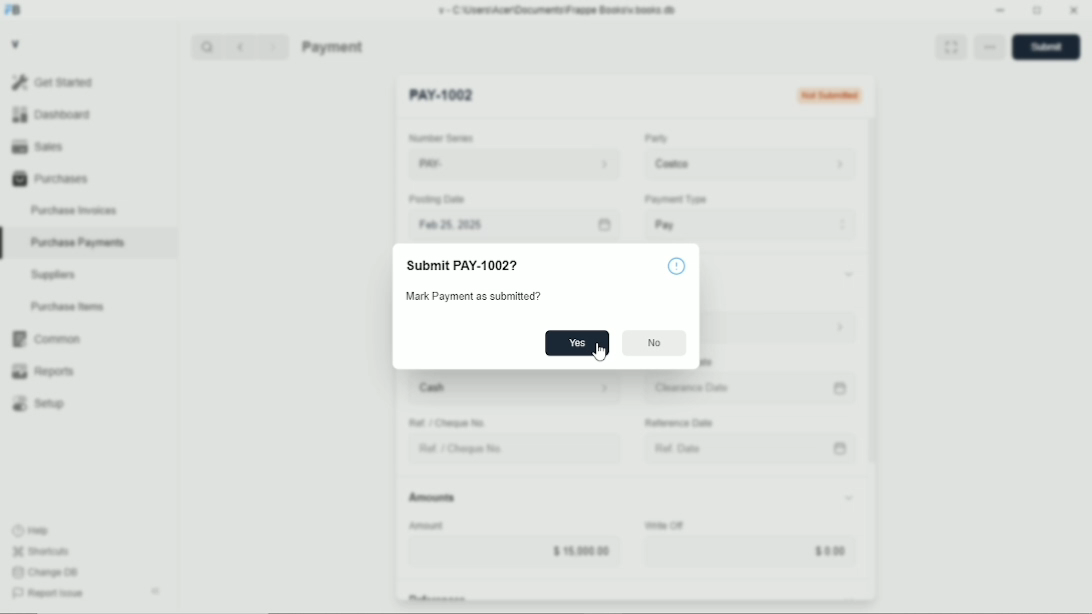 Image resolution: width=1092 pixels, height=614 pixels. I want to click on Mark Payment as submitted?, so click(491, 298).